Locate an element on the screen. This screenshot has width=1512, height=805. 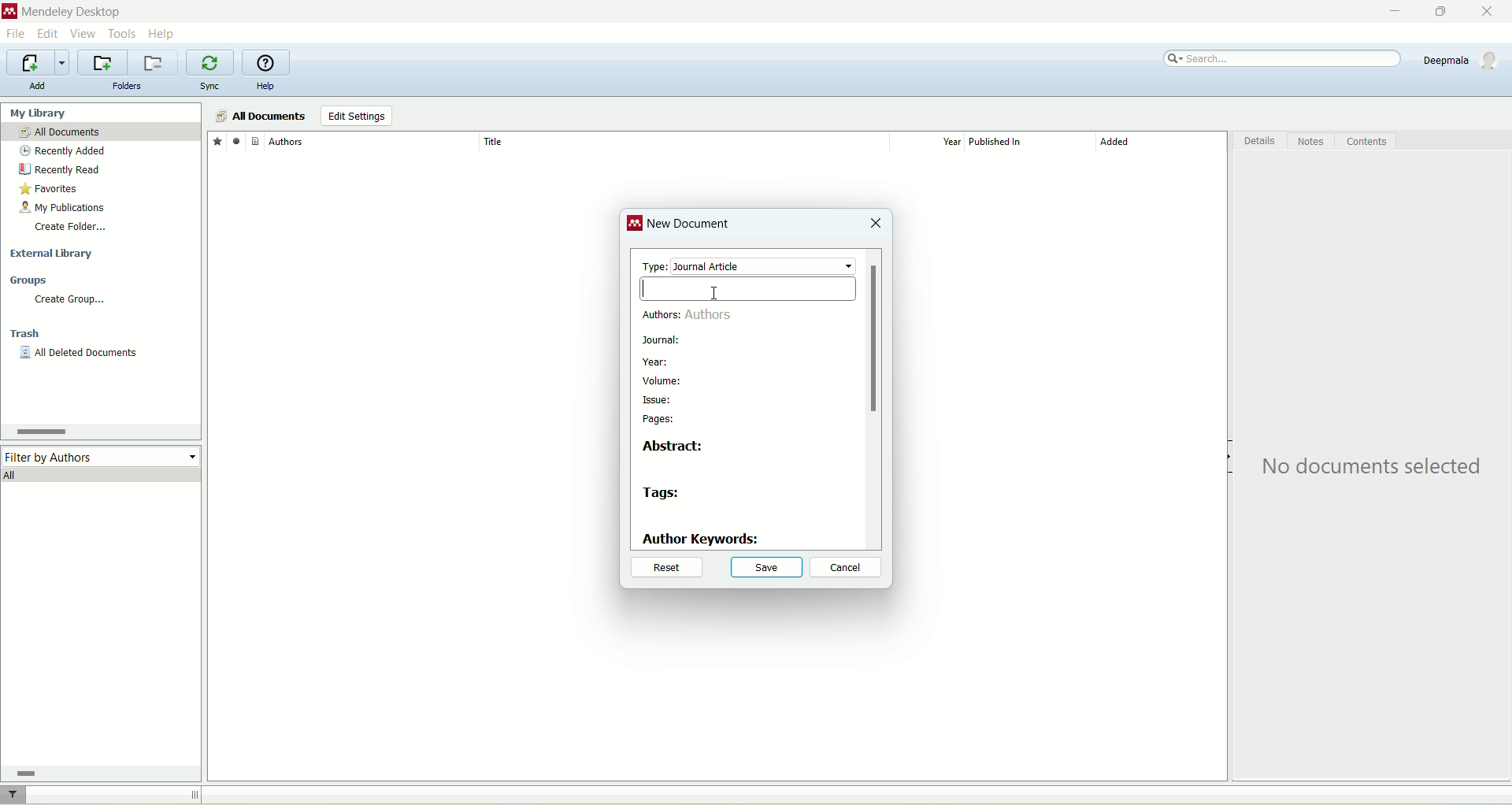
notes is located at coordinates (1313, 142).